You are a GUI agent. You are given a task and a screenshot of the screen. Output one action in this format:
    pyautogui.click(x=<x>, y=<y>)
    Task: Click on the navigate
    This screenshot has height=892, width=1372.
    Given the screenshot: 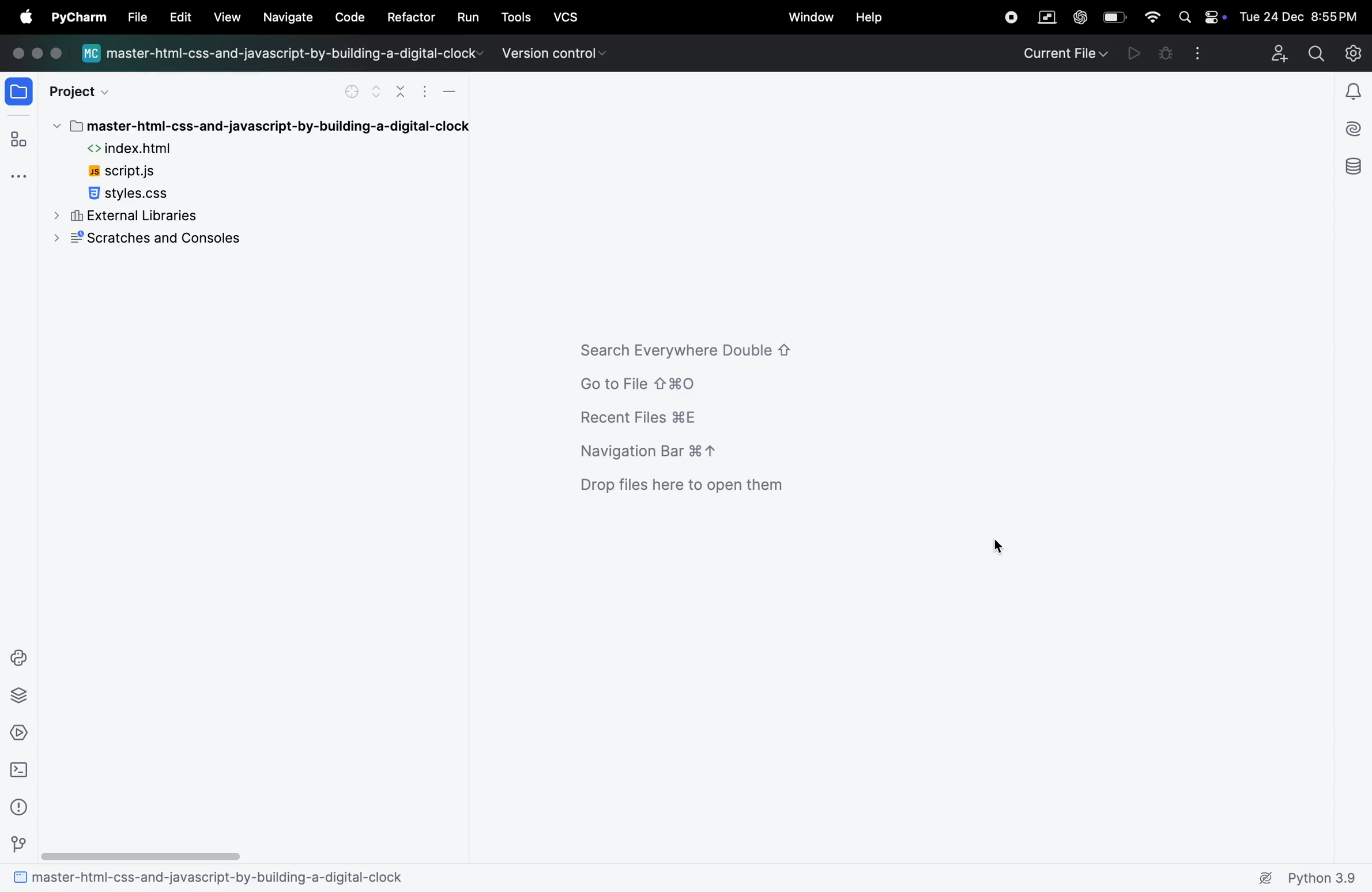 What is the action you would take?
    pyautogui.click(x=289, y=18)
    